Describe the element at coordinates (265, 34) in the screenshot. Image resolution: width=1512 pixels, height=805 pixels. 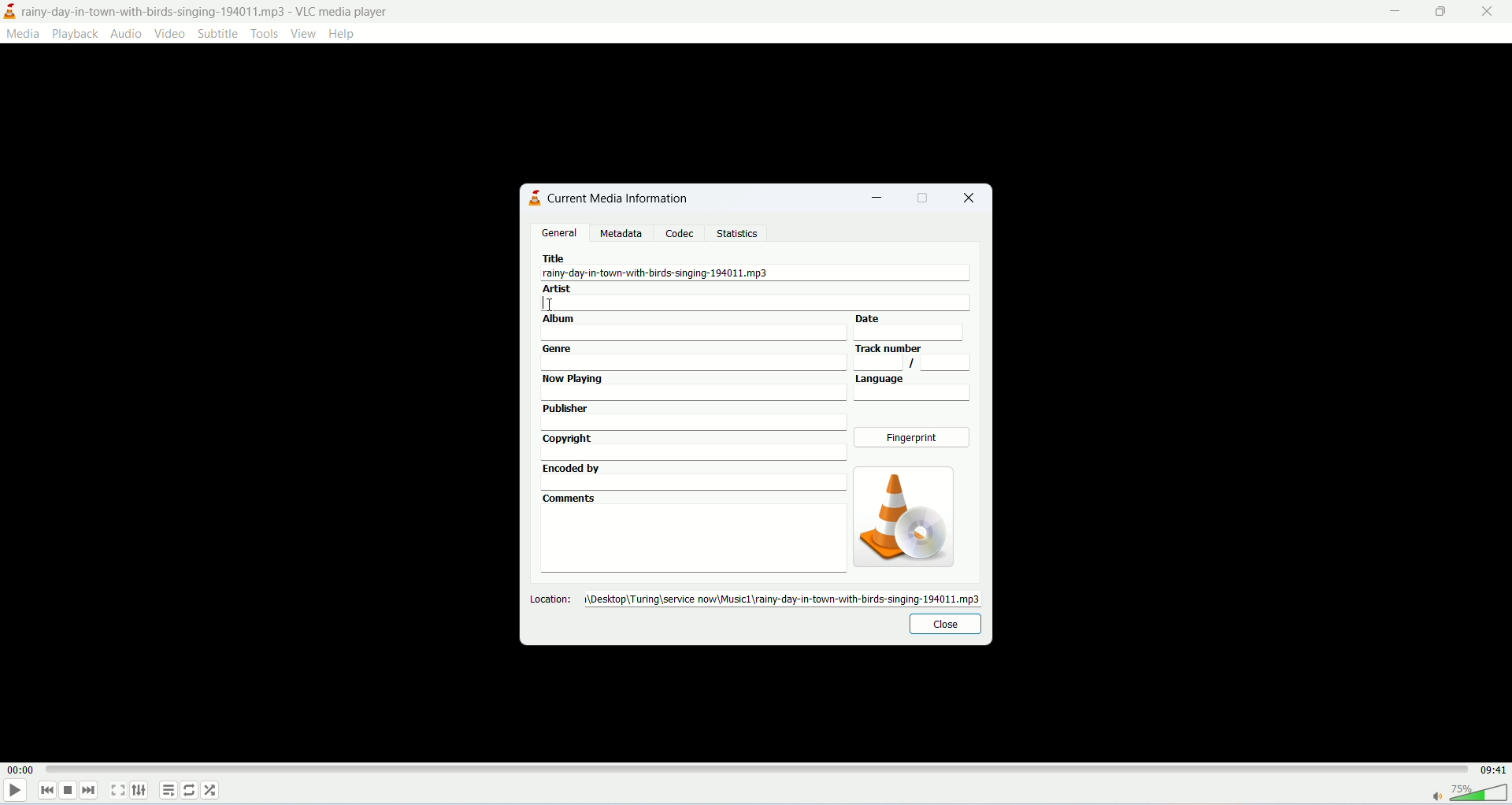
I see `tools` at that location.